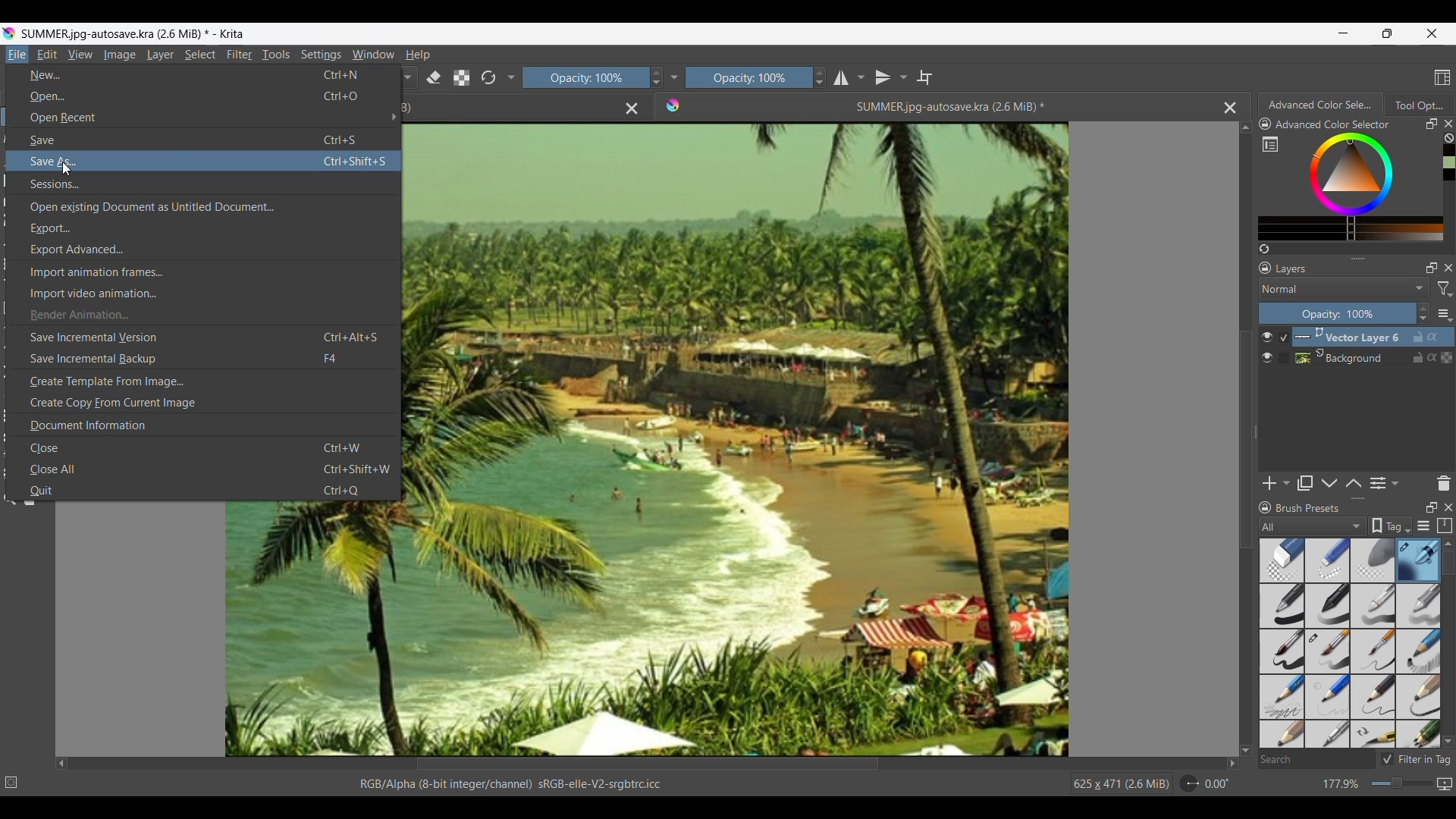  I want to click on Vertical slide bar, so click(1448, 563).